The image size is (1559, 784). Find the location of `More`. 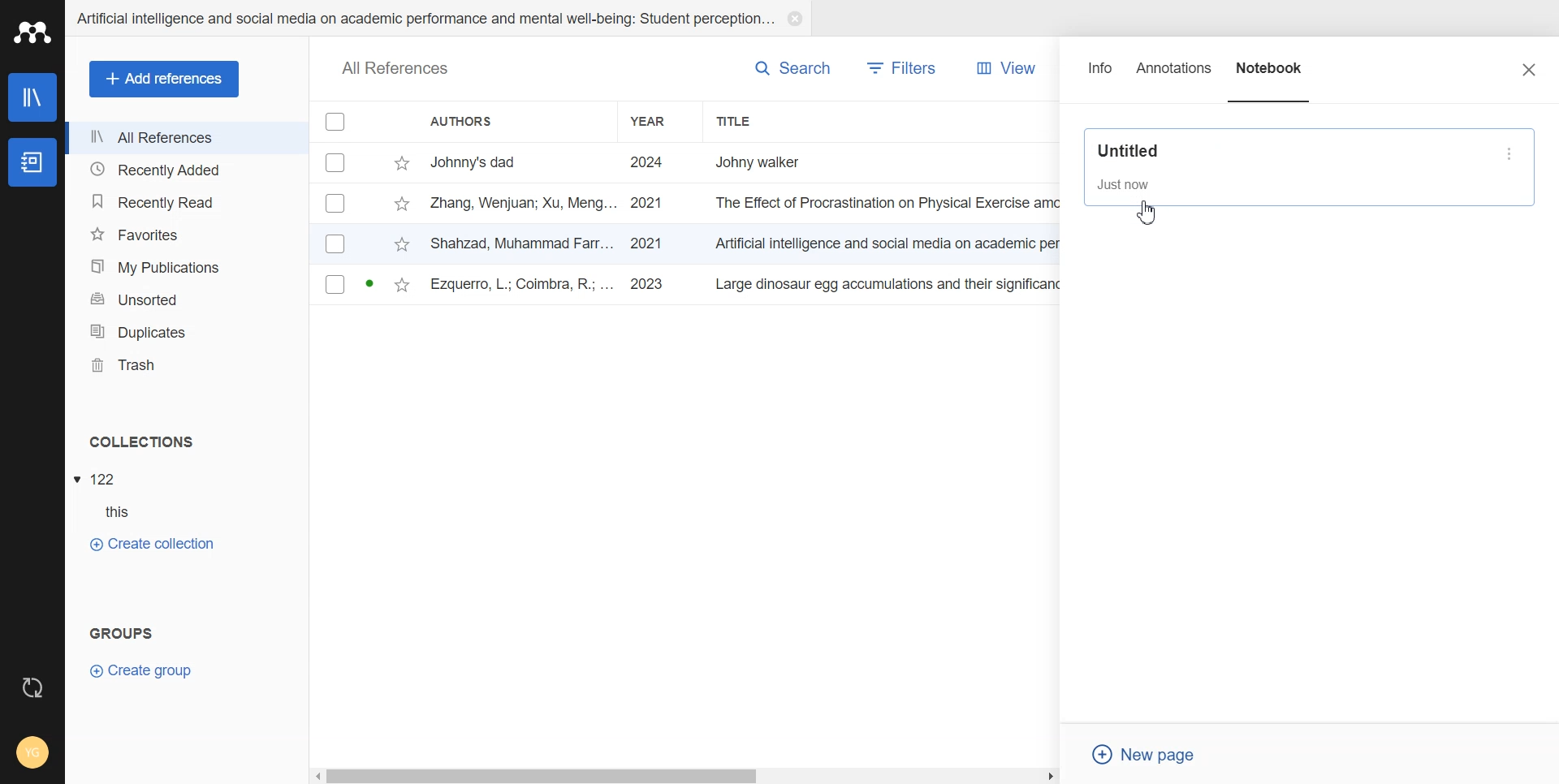

More is located at coordinates (1512, 153).